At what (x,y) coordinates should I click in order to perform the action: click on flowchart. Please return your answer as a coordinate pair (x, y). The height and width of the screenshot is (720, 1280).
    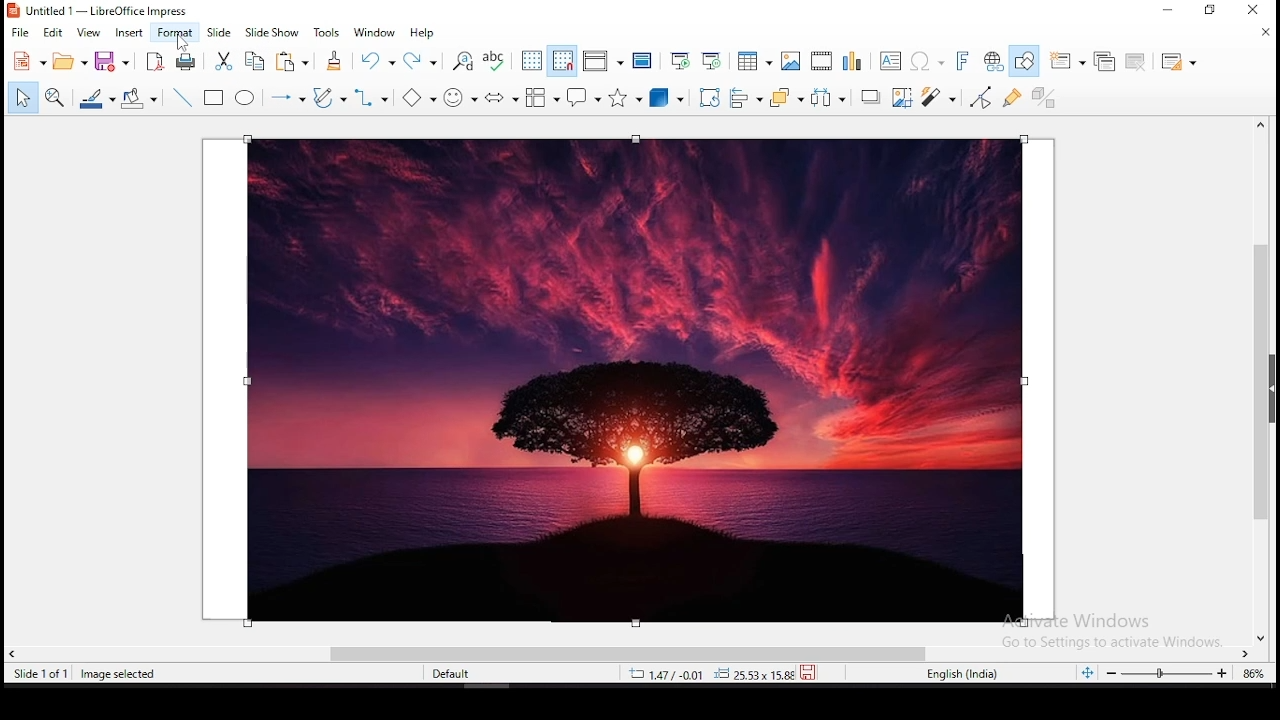
    Looking at the image, I should click on (541, 97).